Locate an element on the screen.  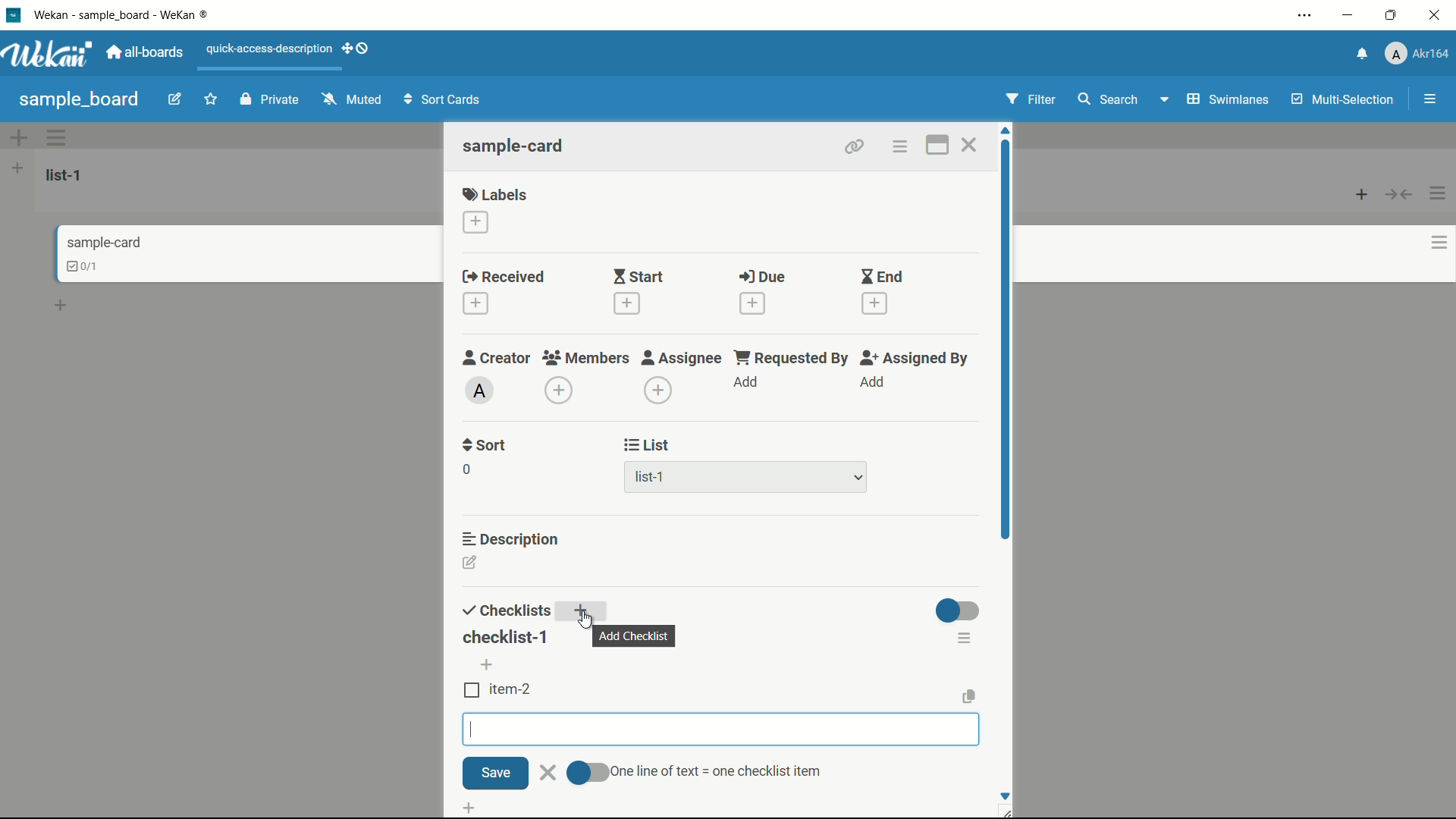
toggle button is located at coordinates (588, 773).